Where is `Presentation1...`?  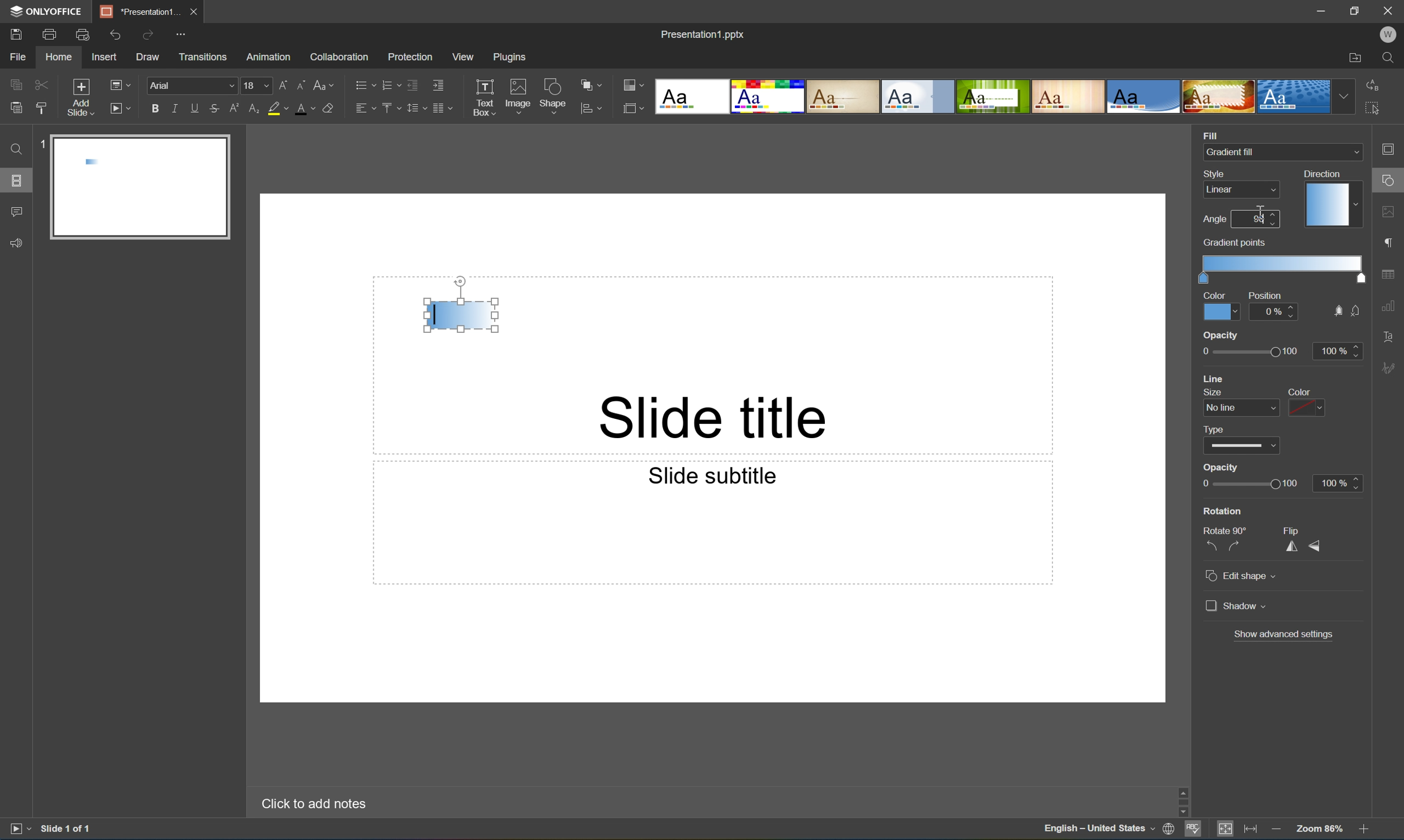 Presentation1... is located at coordinates (136, 11).